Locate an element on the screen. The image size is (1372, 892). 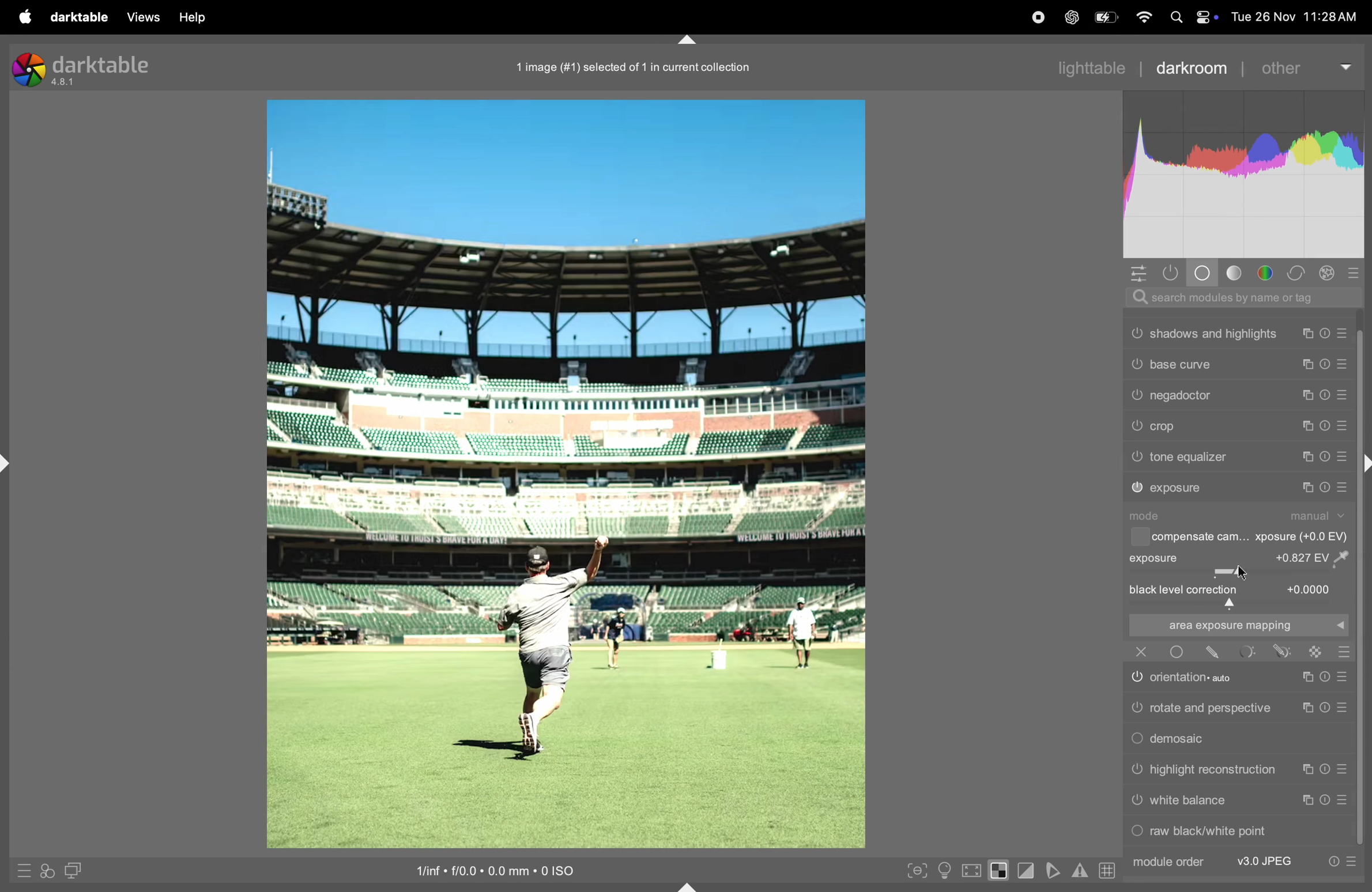
quick access is located at coordinates (47, 872).